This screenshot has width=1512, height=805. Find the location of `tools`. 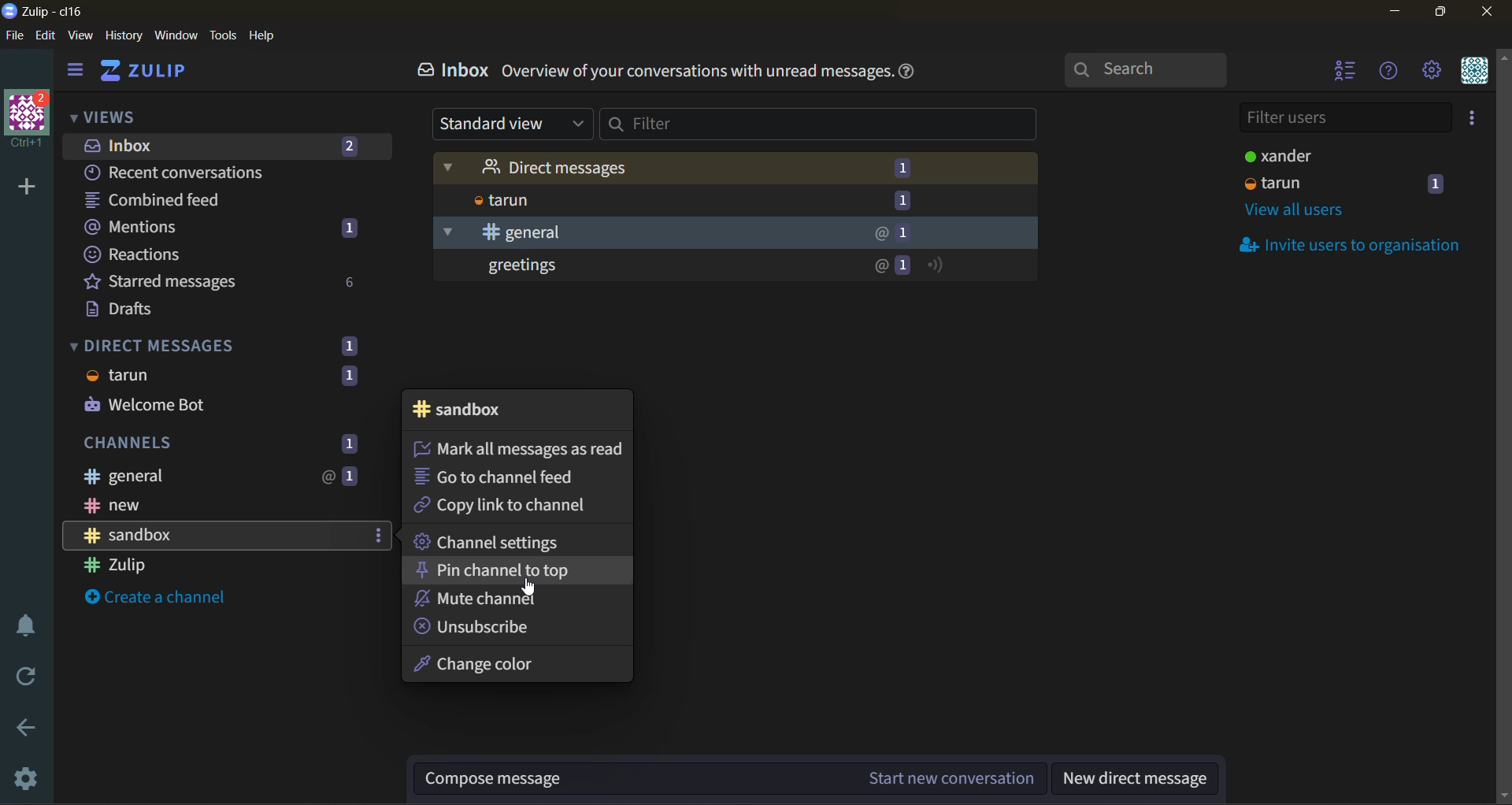

tools is located at coordinates (221, 35).